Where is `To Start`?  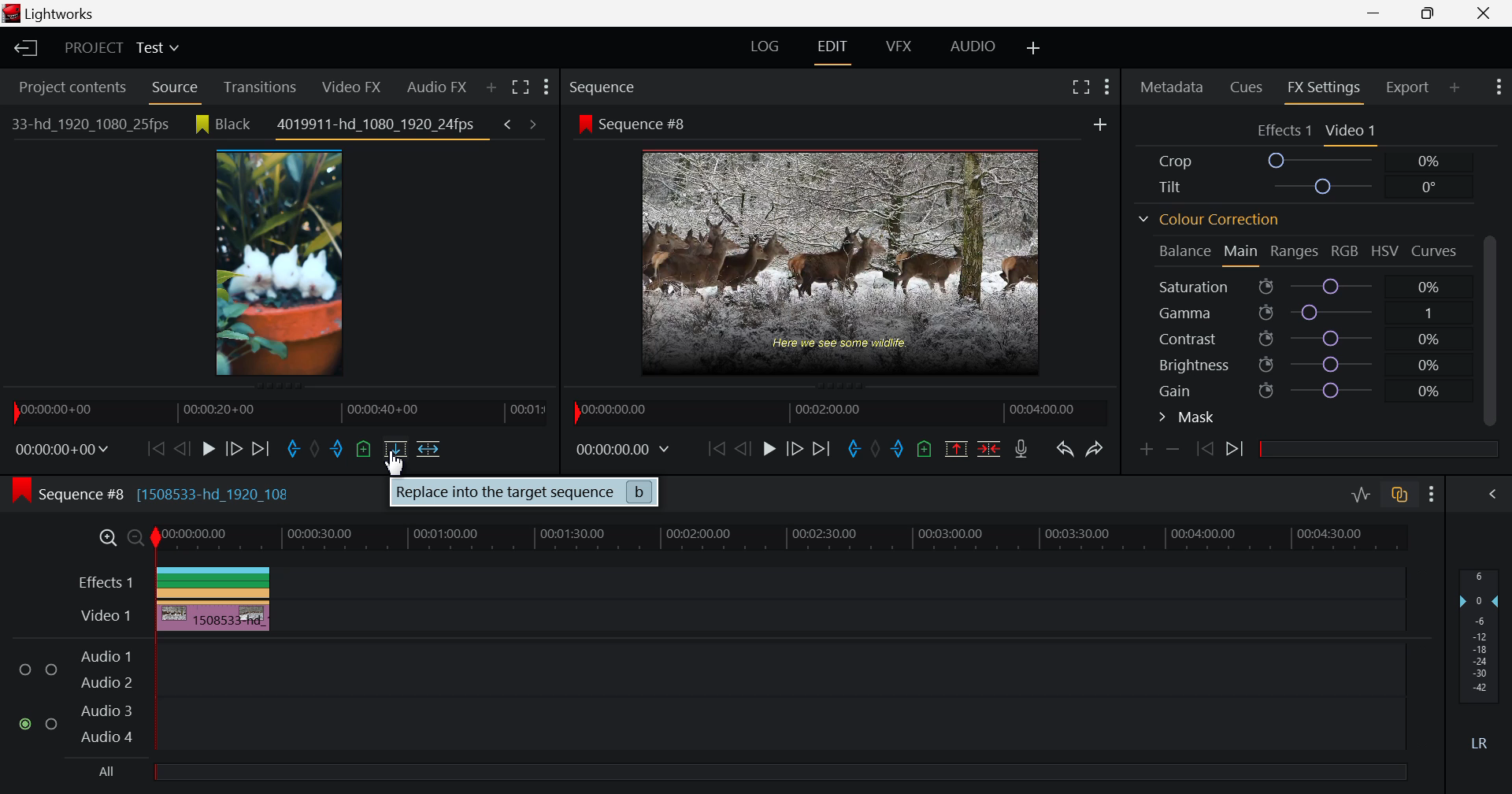
To Start is located at coordinates (717, 450).